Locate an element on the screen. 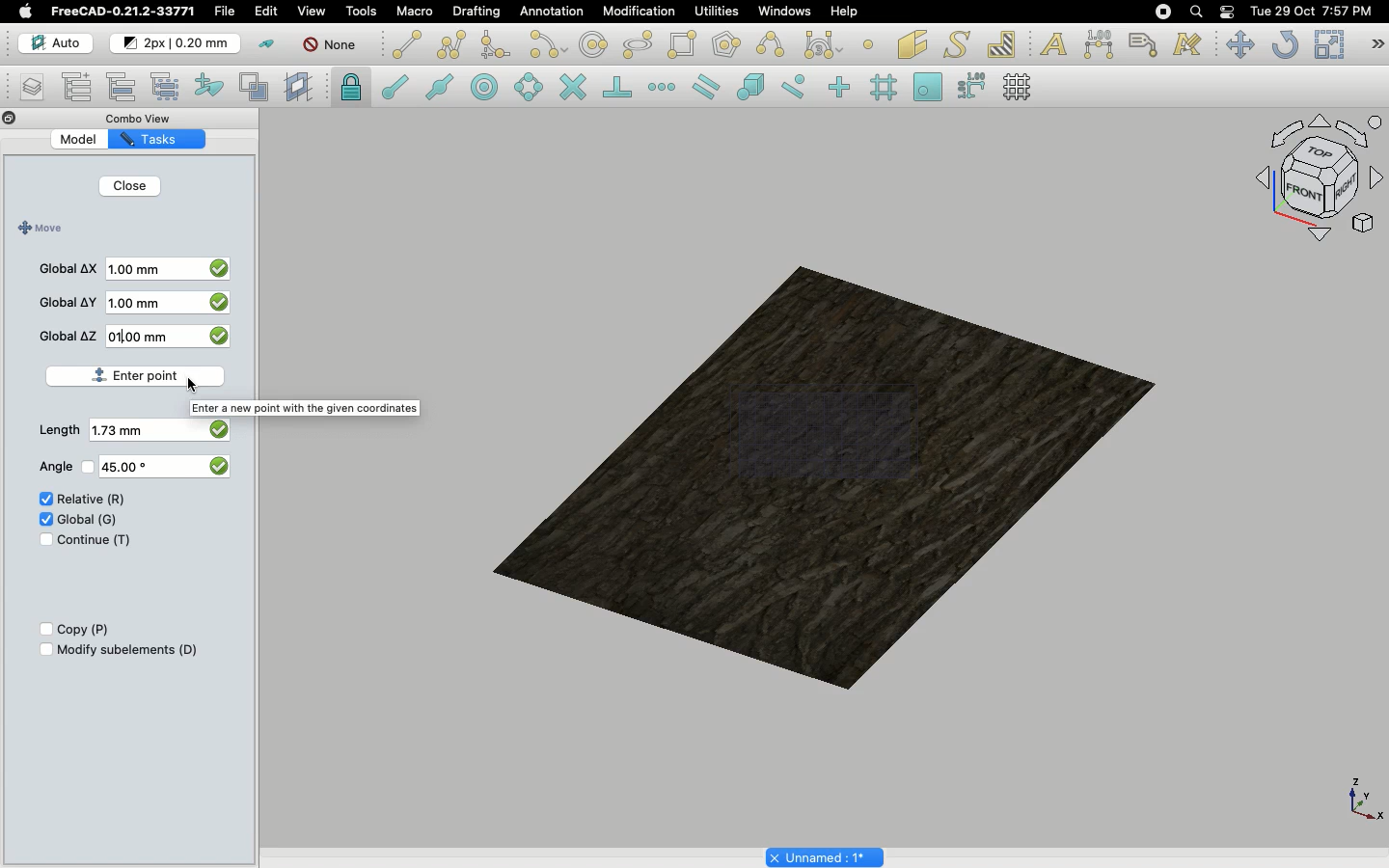 The image size is (1389, 868). Create working plane proxy is located at coordinates (301, 88).